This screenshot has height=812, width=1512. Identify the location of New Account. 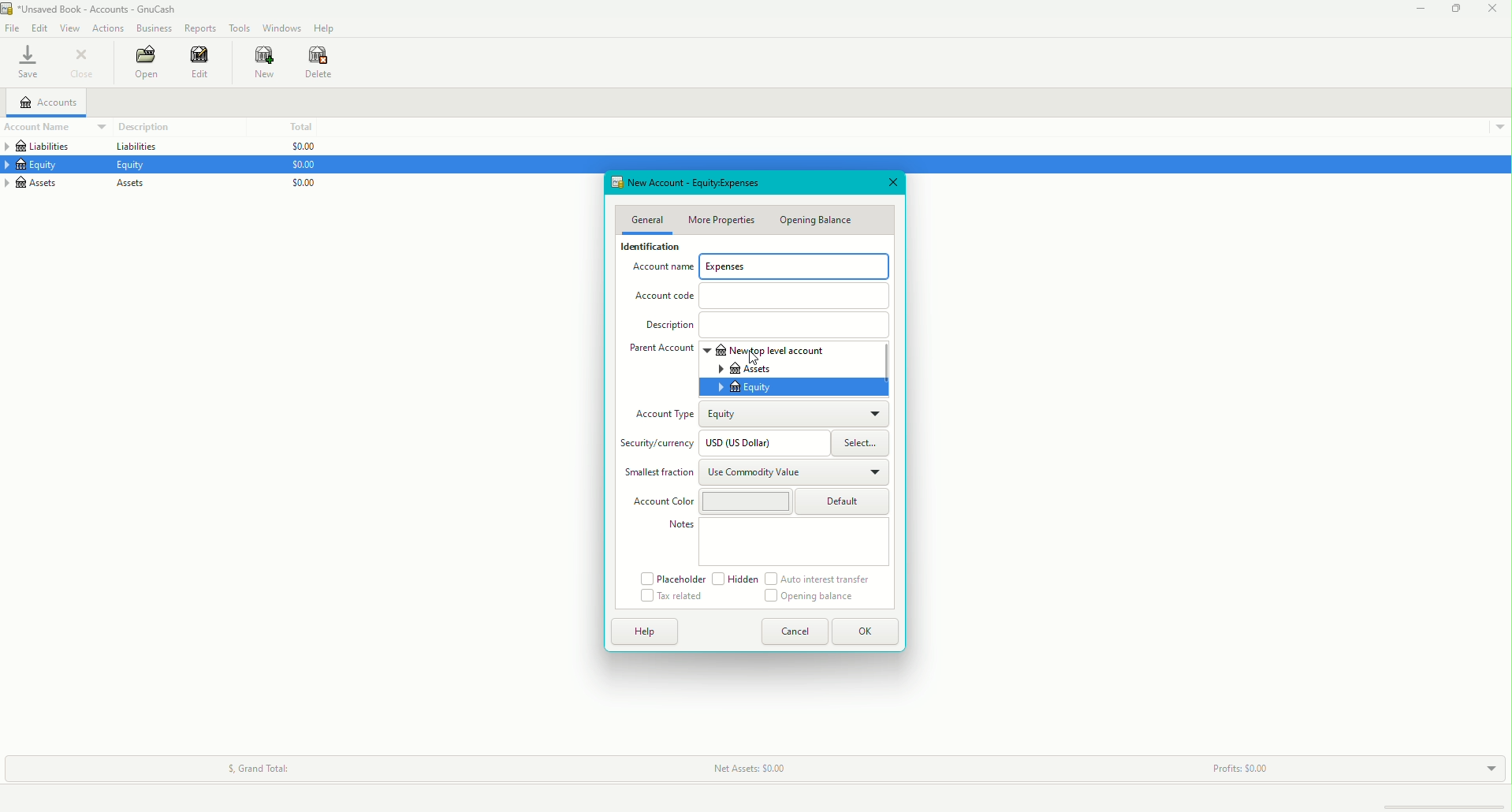
(709, 183).